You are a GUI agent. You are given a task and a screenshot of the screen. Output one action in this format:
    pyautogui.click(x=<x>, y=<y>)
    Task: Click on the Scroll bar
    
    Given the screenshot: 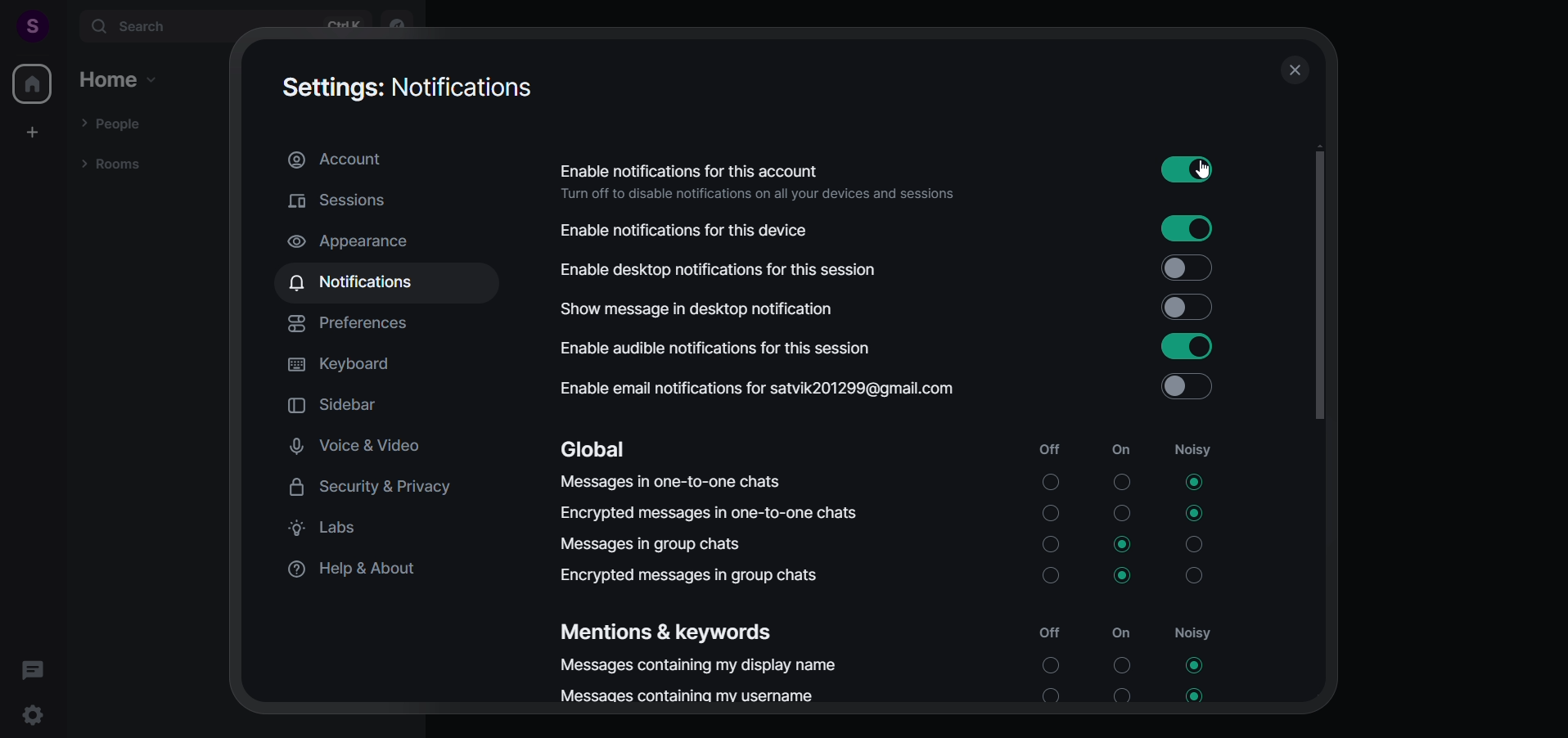 What is the action you would take?
    pyautogui.click(x=1320, y=412)
    